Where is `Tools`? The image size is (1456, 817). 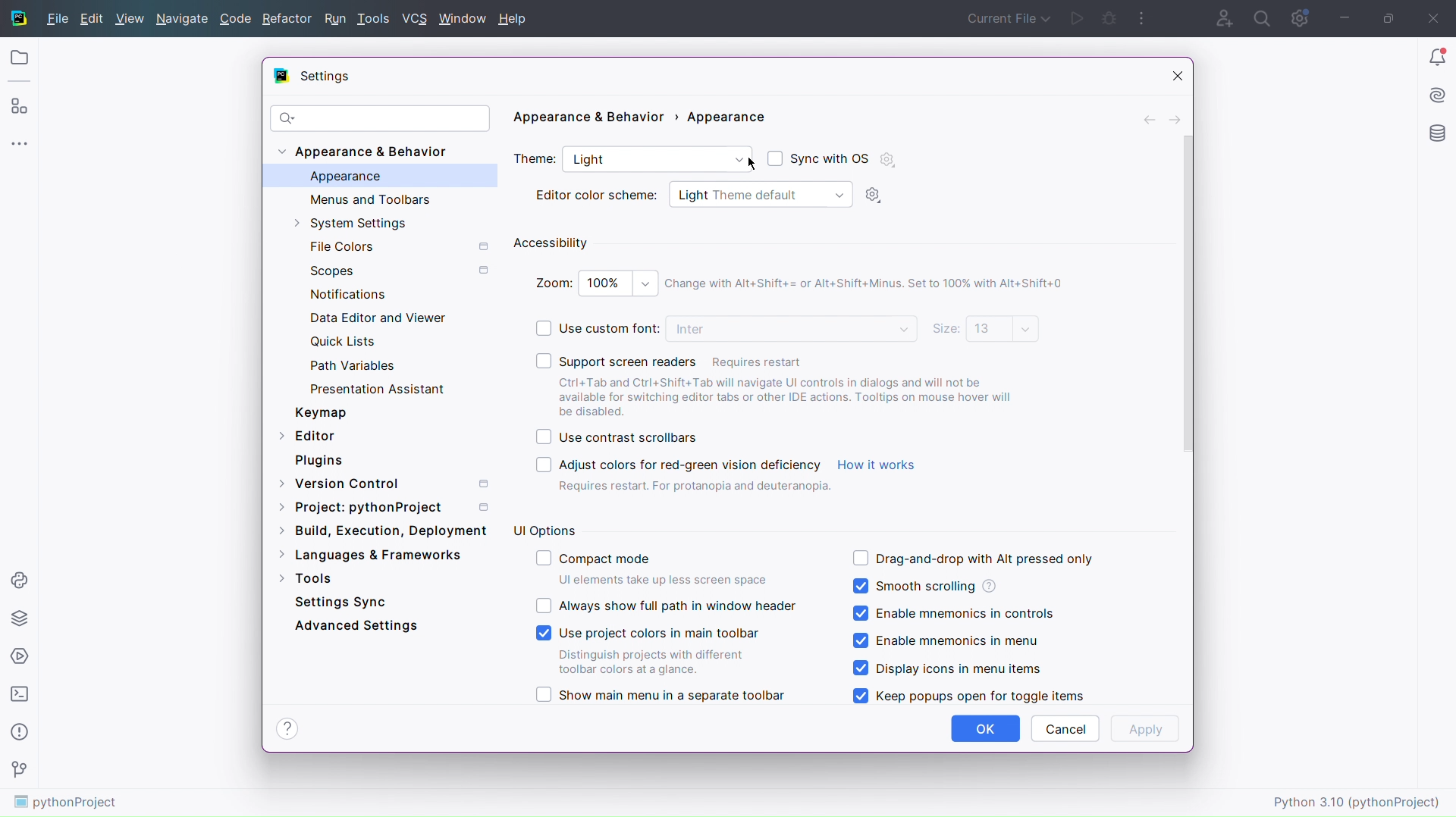
Tools is located at coordinates (306, 576).